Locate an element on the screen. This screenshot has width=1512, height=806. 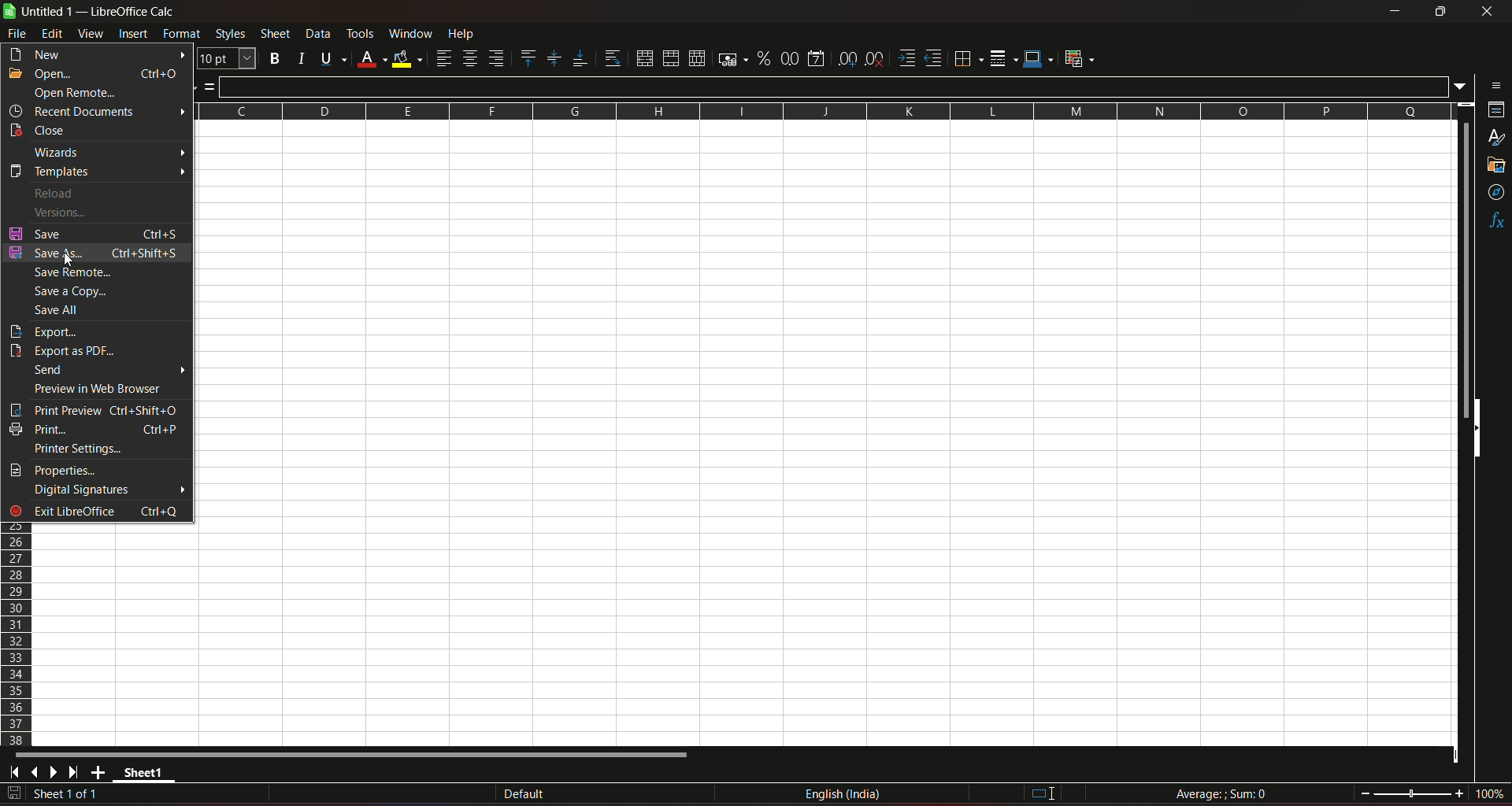
merge and center is located at coordinates (643, 57).